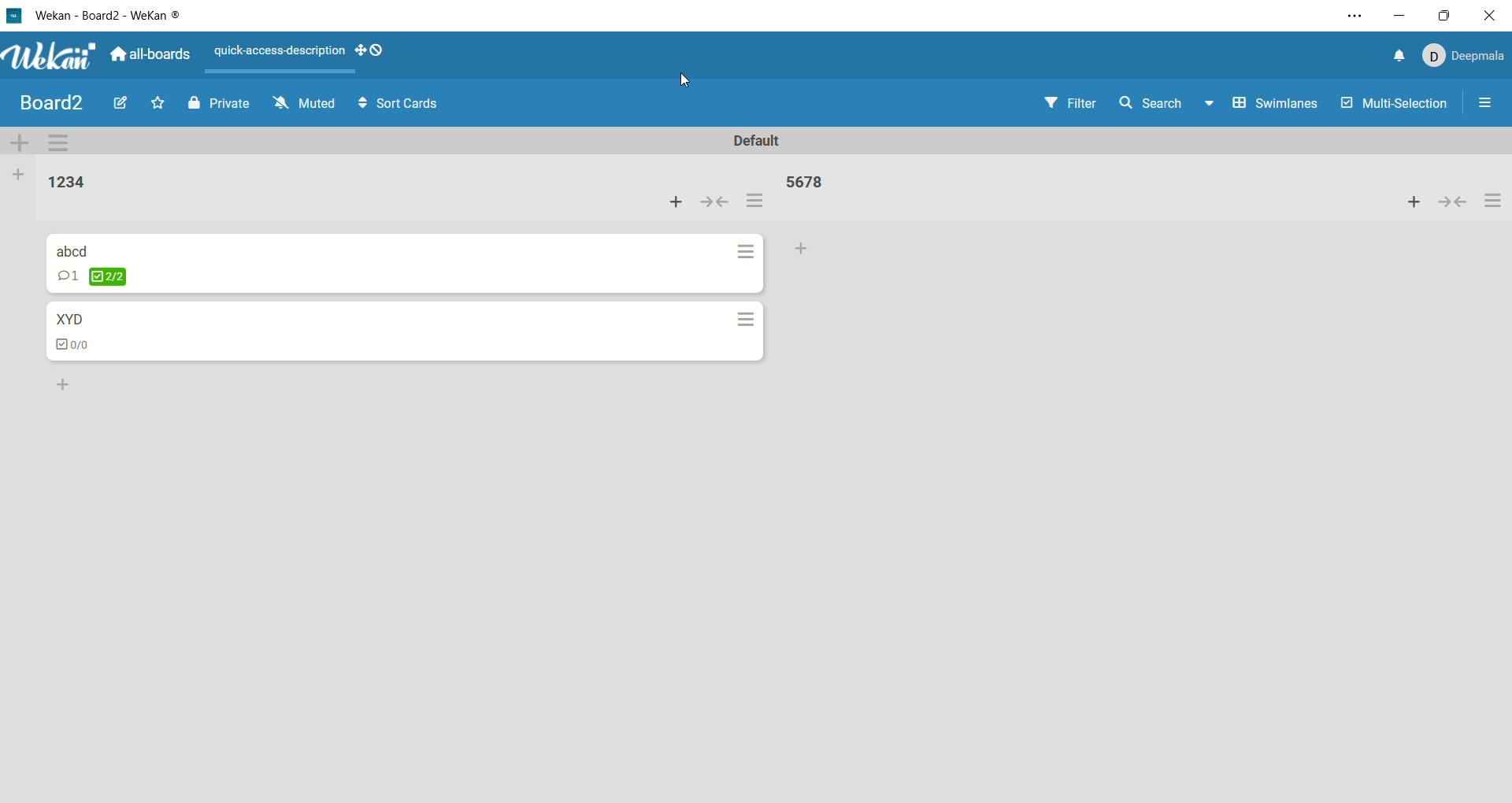  Describe the element at coordinates (1488, 15) in the screenshot. I see `close` at that location.